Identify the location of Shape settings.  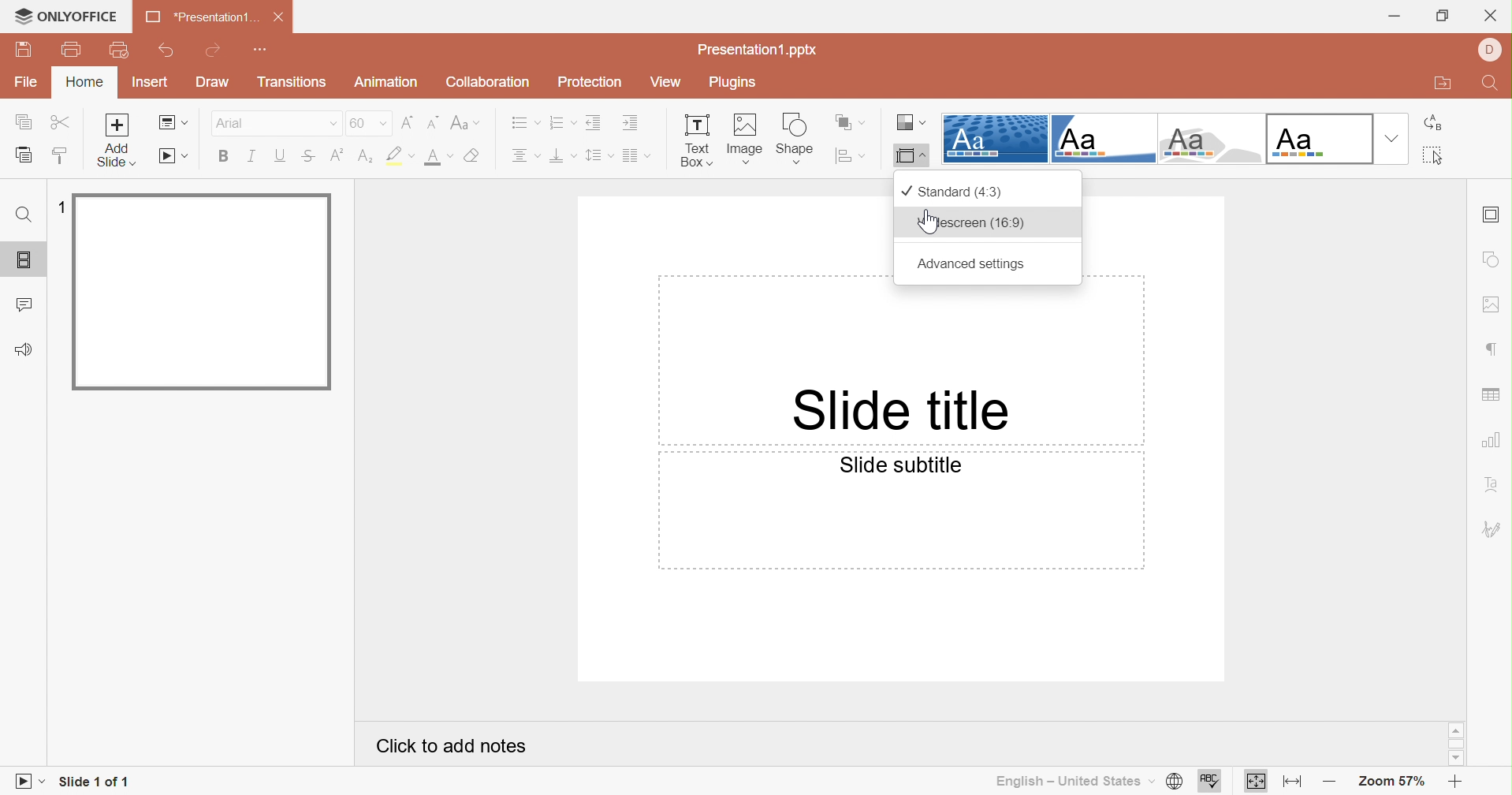
(1494, 260).